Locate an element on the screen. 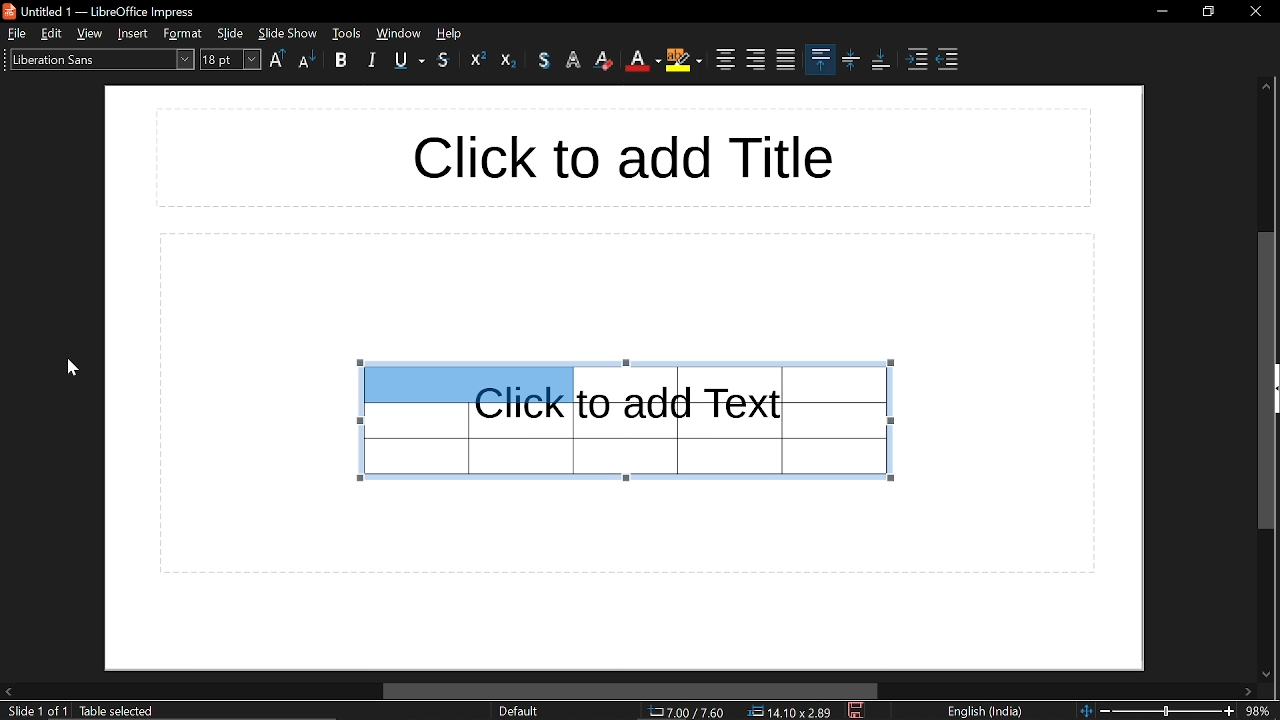 The image size is (1280, 720). fit to page is located at coordinates (1085, 710).